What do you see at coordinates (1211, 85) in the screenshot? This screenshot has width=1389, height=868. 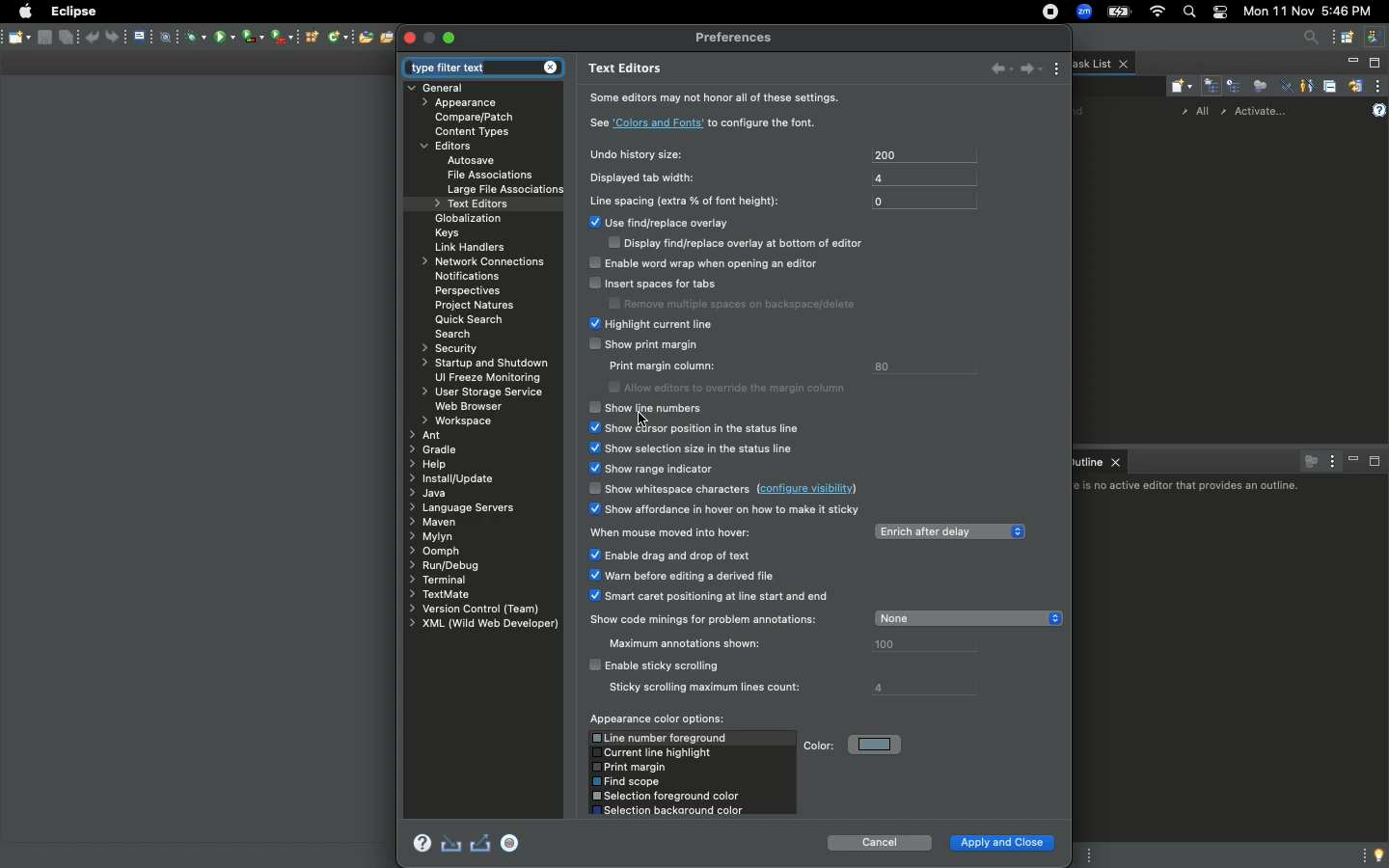 I see `Categorized` at bounding box center [1211, 85].